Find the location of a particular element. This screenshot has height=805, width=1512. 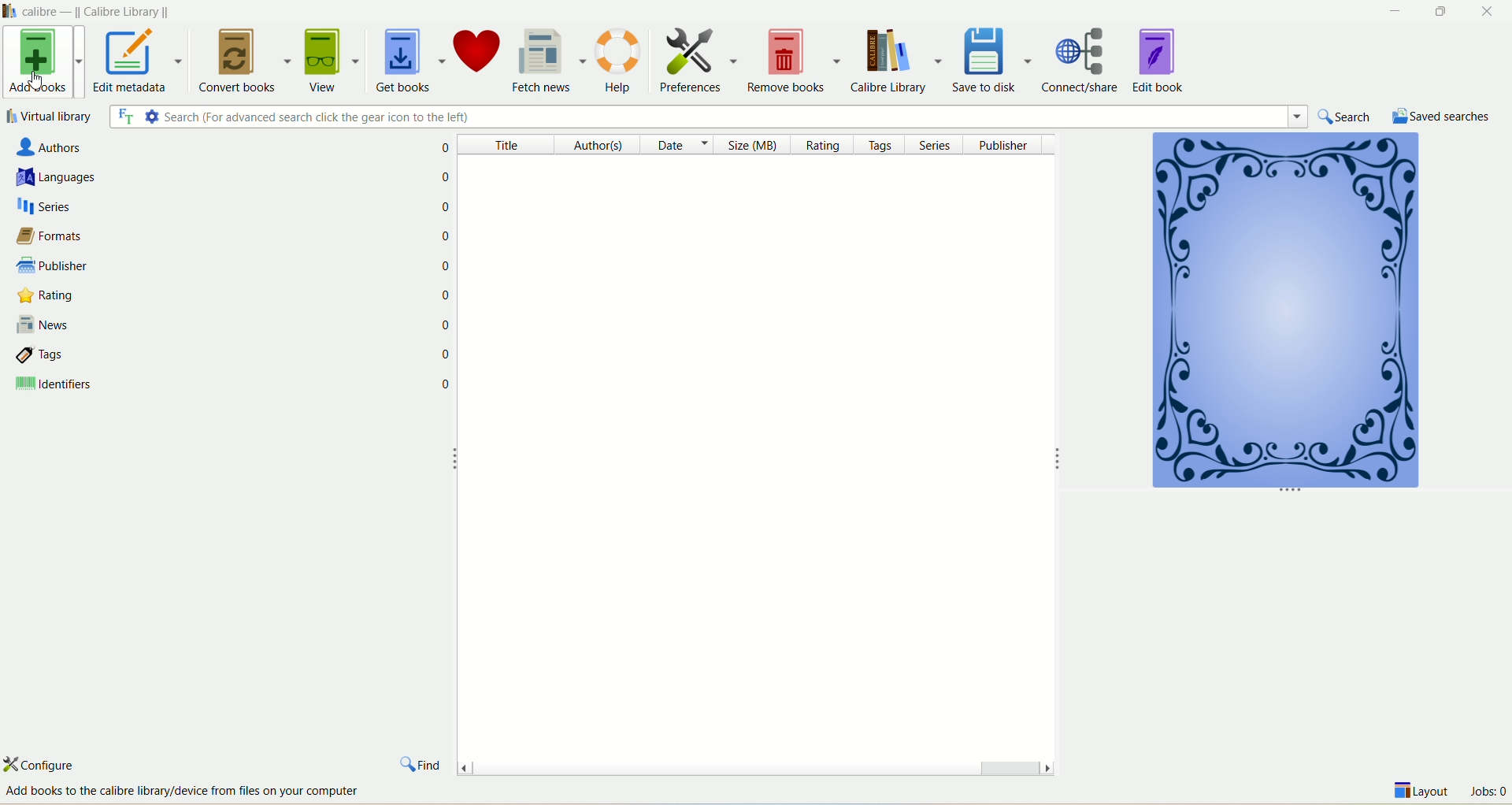

preferences is located at coordinates (697, 58).